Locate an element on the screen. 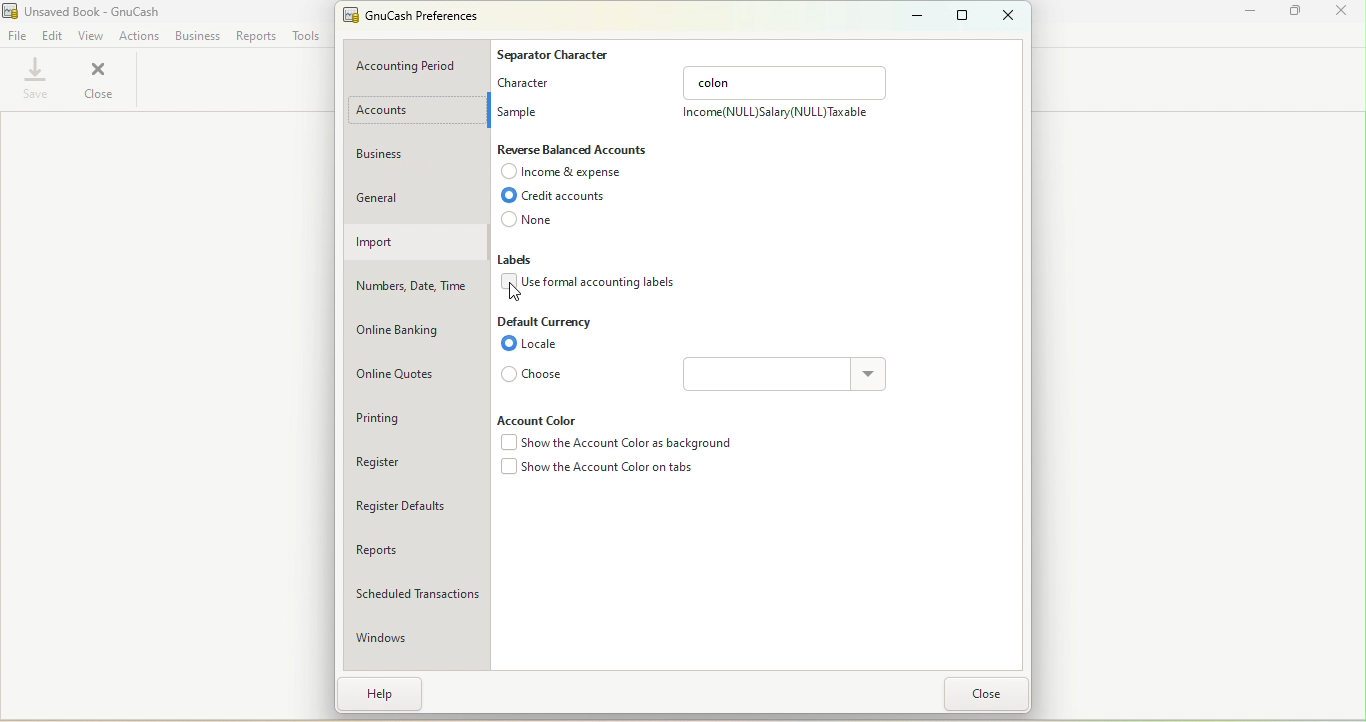 Image resolution: width=1366 pixels, height=722 pixels. Edit is located at coordinates (52, 34).